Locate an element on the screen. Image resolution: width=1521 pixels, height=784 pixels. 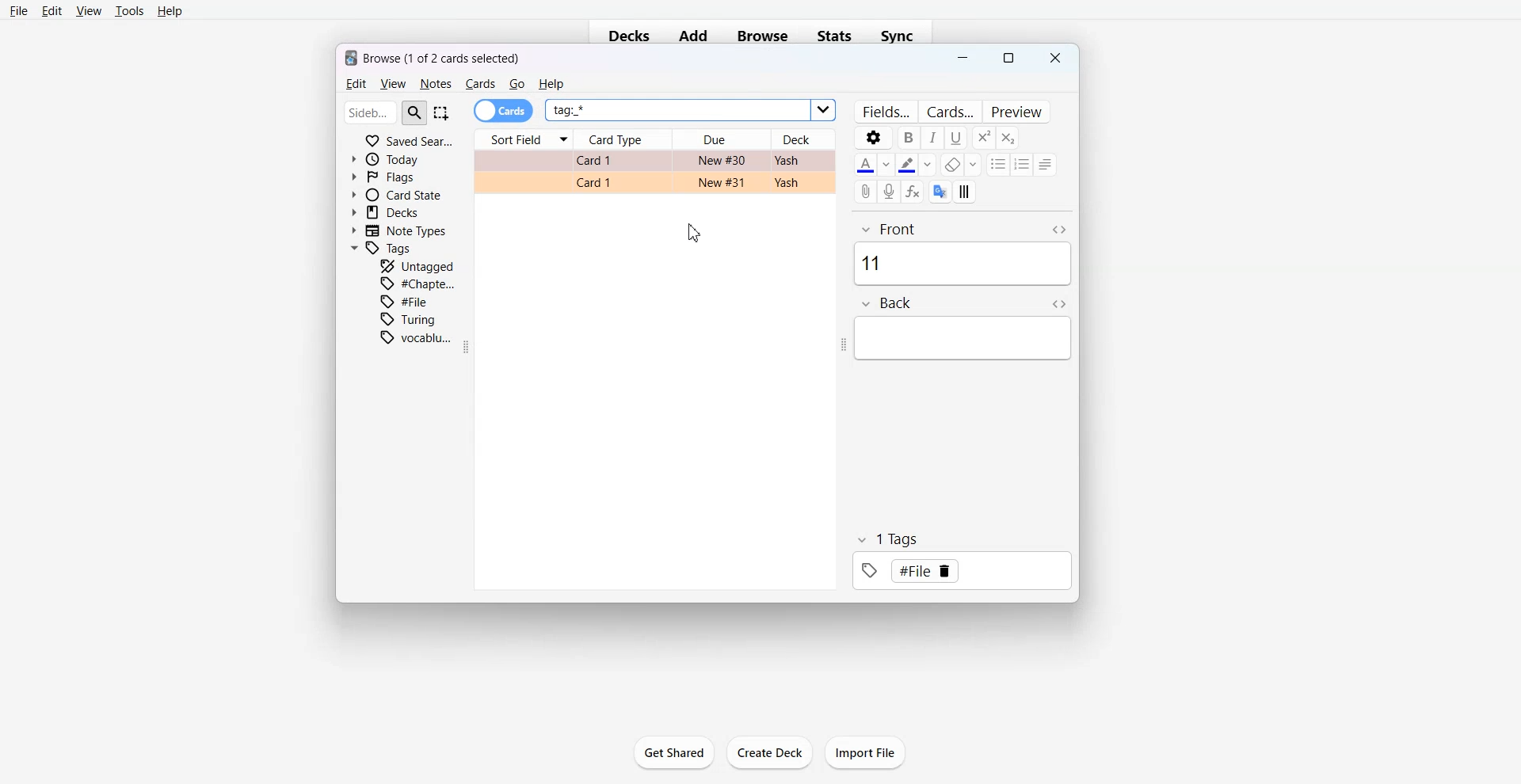
Cards is located at coordinates (950, 111).